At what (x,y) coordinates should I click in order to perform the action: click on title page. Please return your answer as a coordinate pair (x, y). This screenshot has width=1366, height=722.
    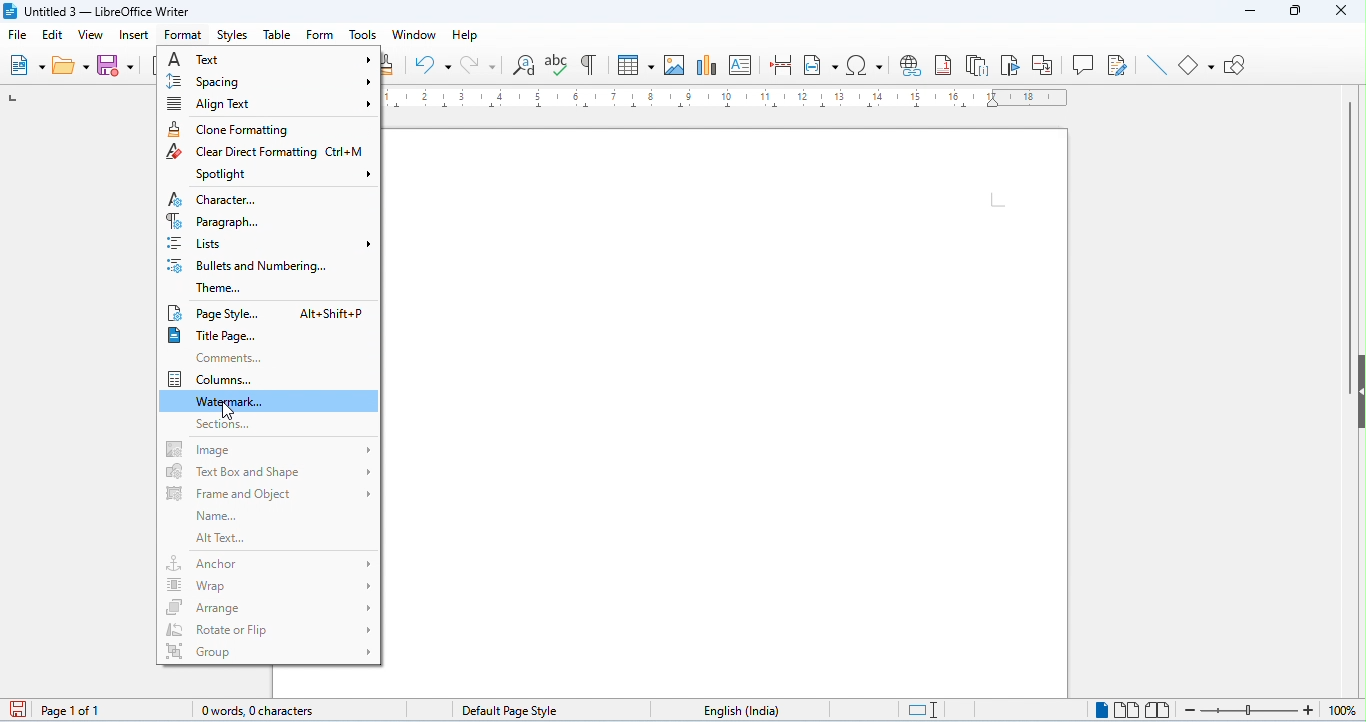
    Looking at the image, I should click on (239, 334).